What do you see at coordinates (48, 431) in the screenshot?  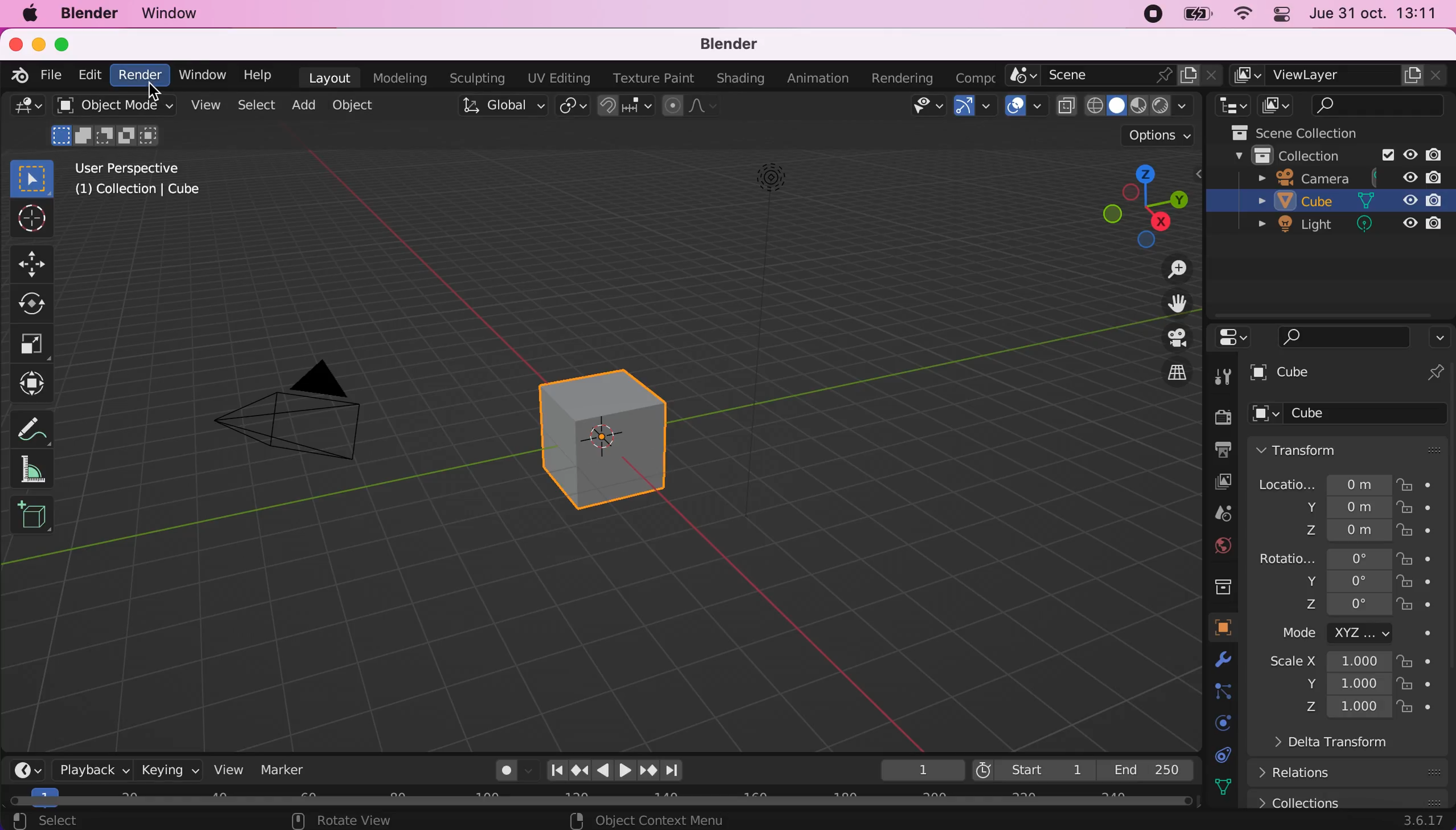 I see `annotate` at bounding box center [48, 431].